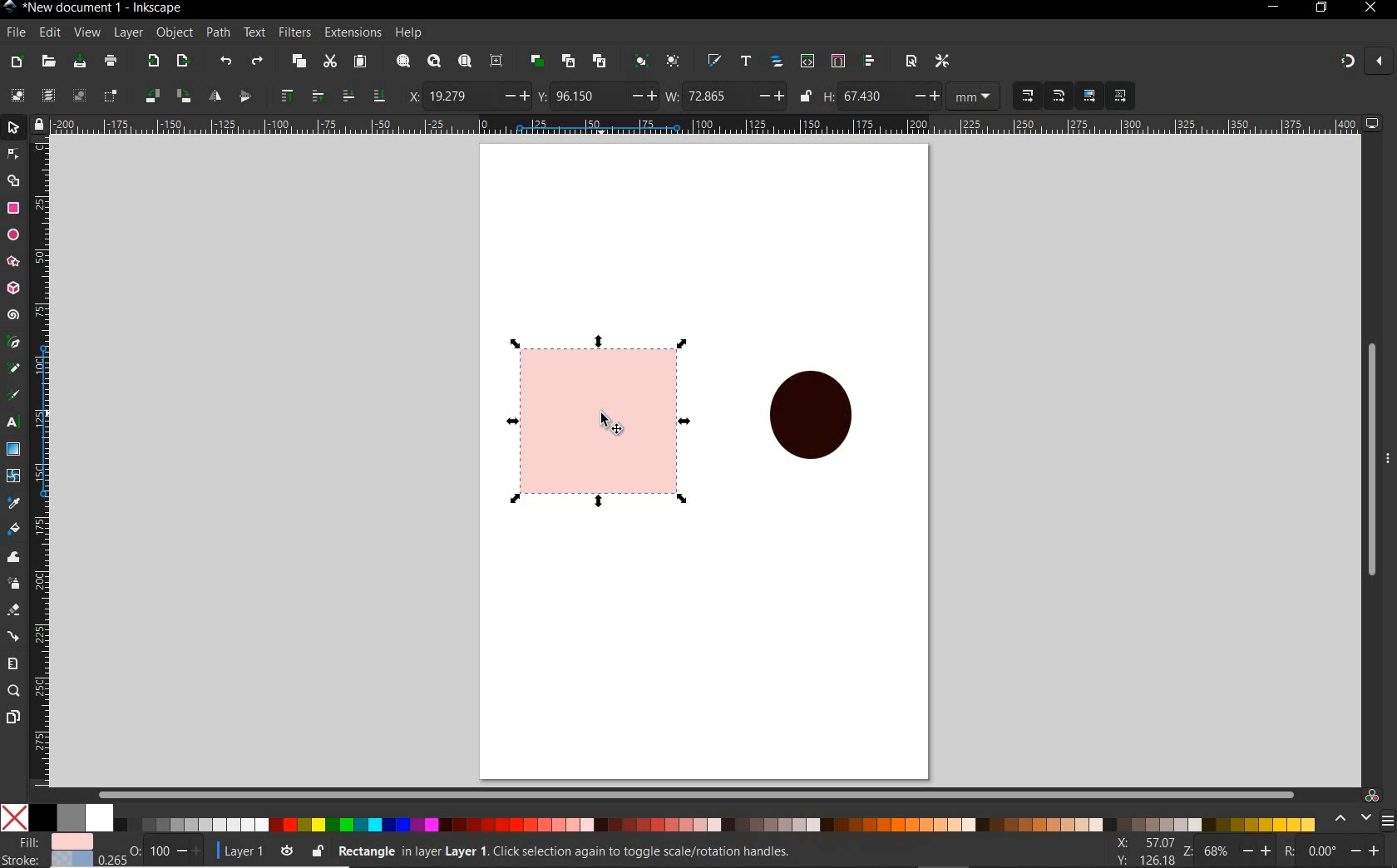  Describe the element at coordinates (695, 792) in the screenshot. I see `scrollbar` at that location.